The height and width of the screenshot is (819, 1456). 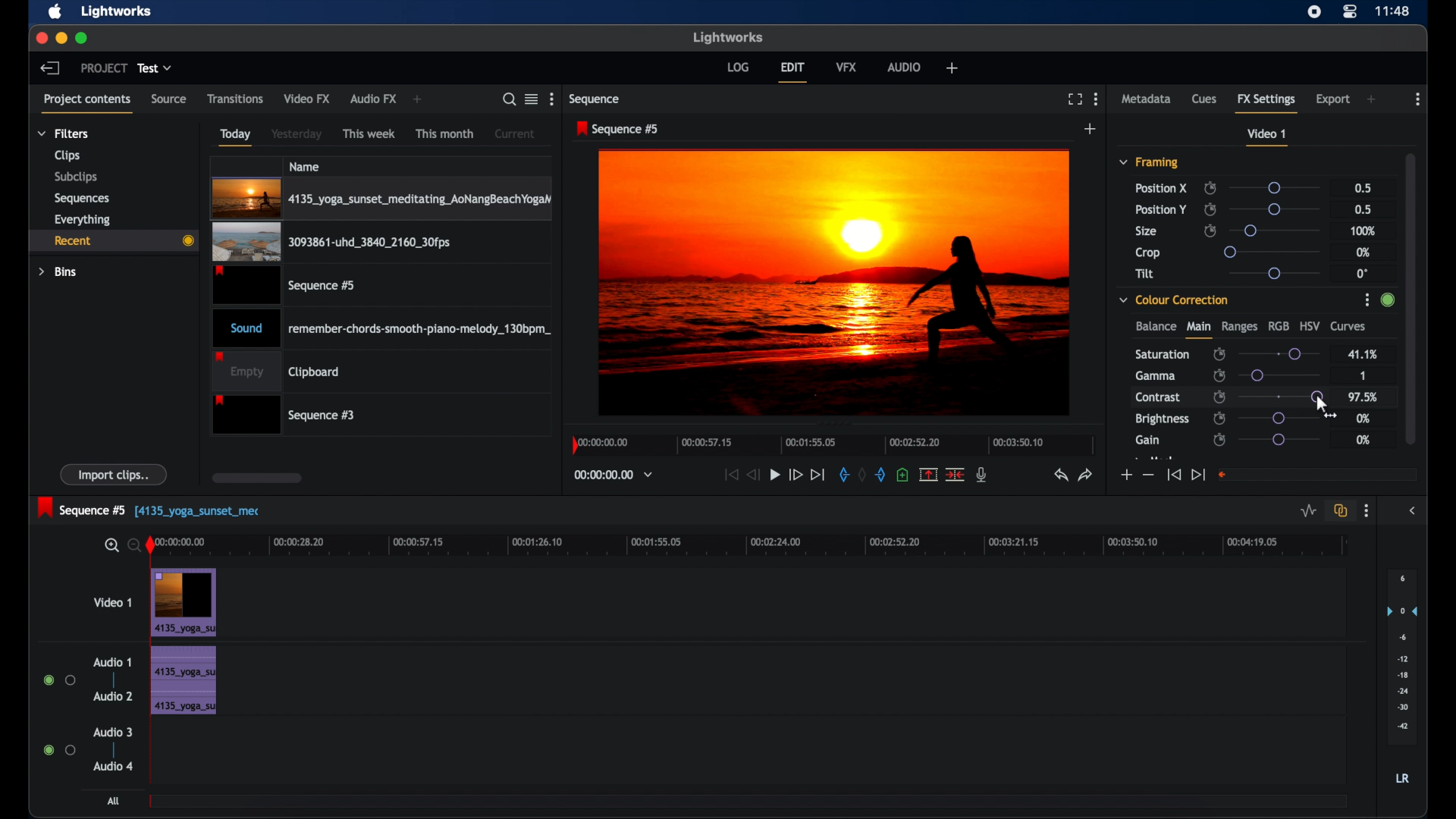 I want to click on slider, so click(x=1318, y=397).